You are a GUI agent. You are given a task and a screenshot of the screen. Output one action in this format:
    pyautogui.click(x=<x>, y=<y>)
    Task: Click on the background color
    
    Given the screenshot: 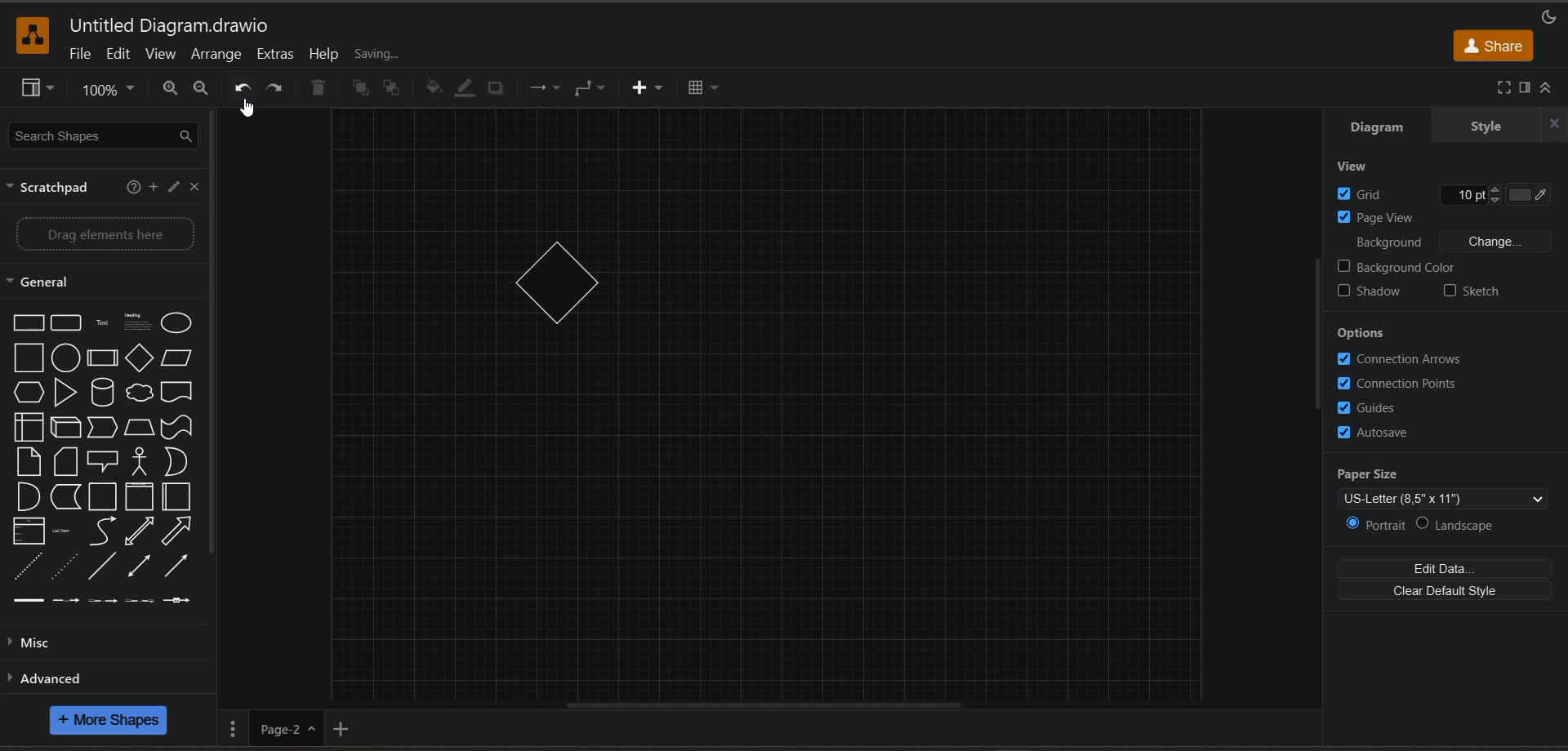 What is the action you would take?
    pyautogui.click(x=1399, y=268)
    